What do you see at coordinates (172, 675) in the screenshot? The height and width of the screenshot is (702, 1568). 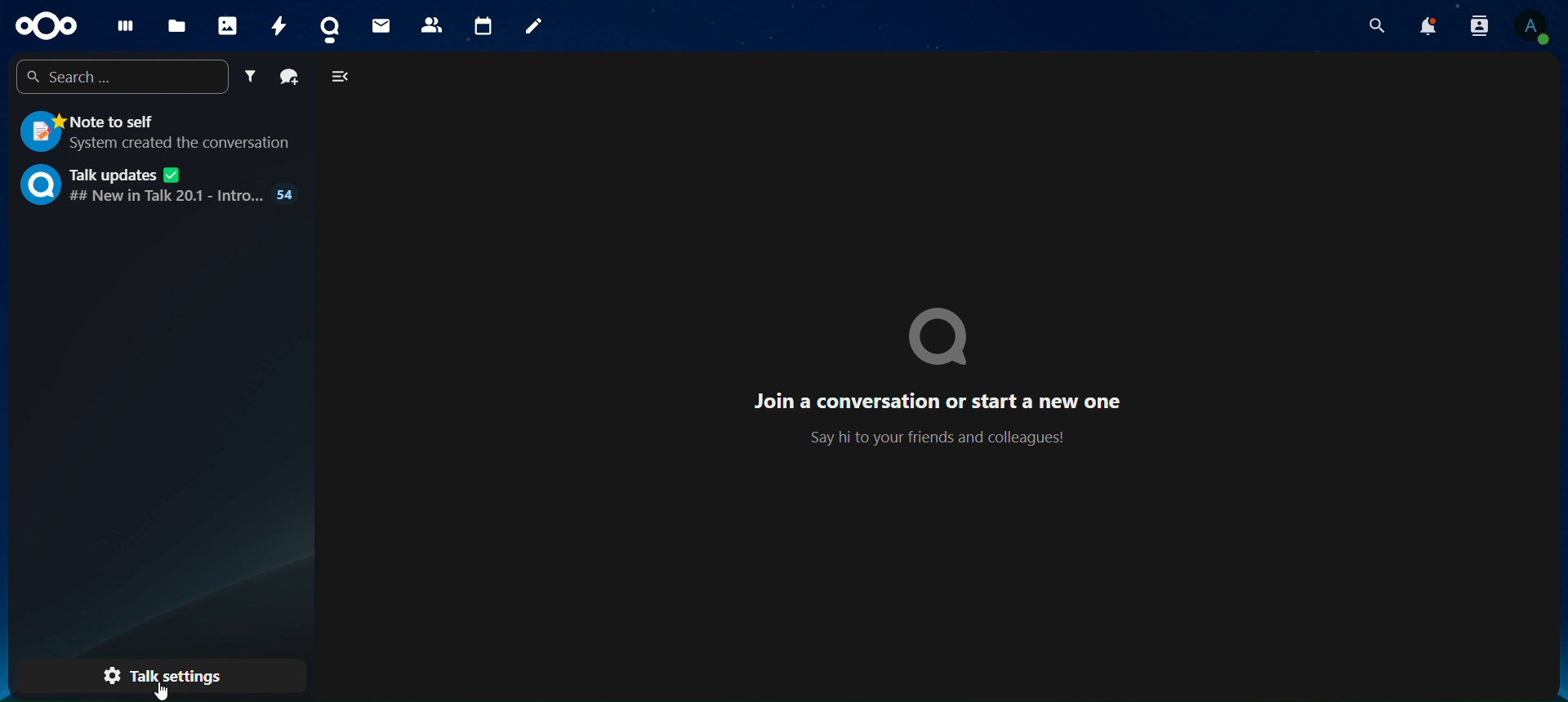 I see `talk settings` at bounding box center [172, 675].